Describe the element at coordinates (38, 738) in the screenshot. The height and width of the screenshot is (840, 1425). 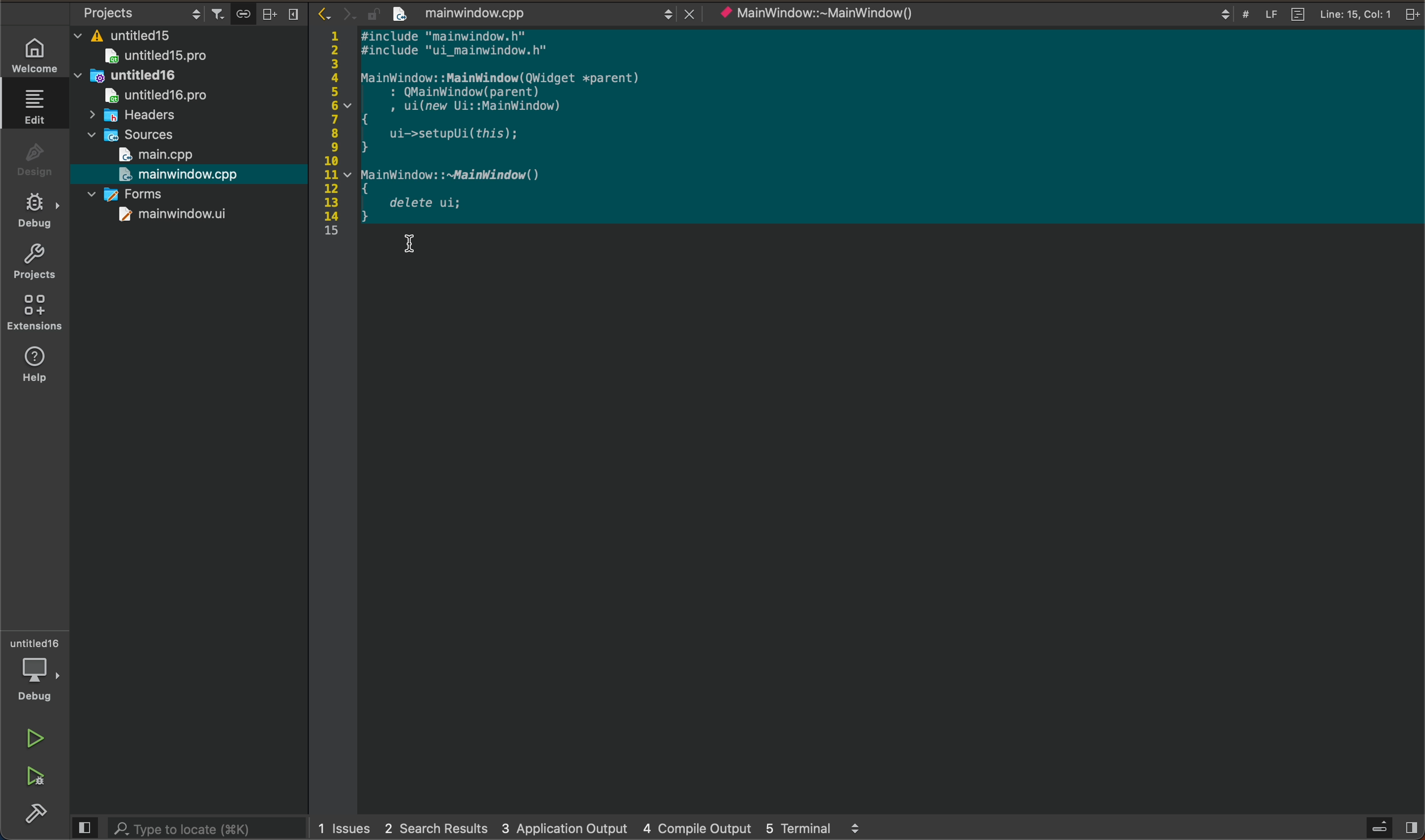
I see `run` at that location.